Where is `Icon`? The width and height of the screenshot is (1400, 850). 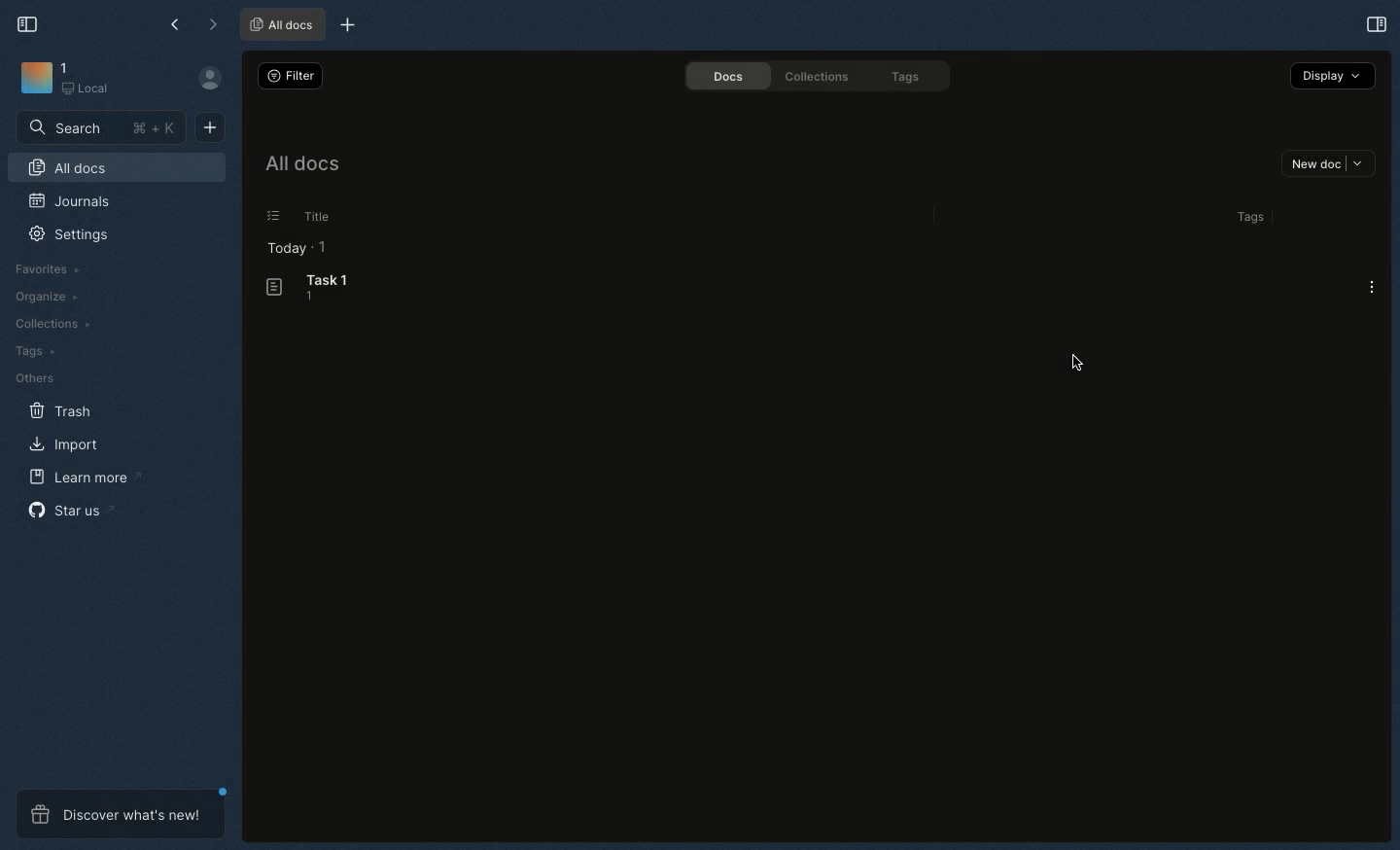 Icon is located at coordinates (33, 77).